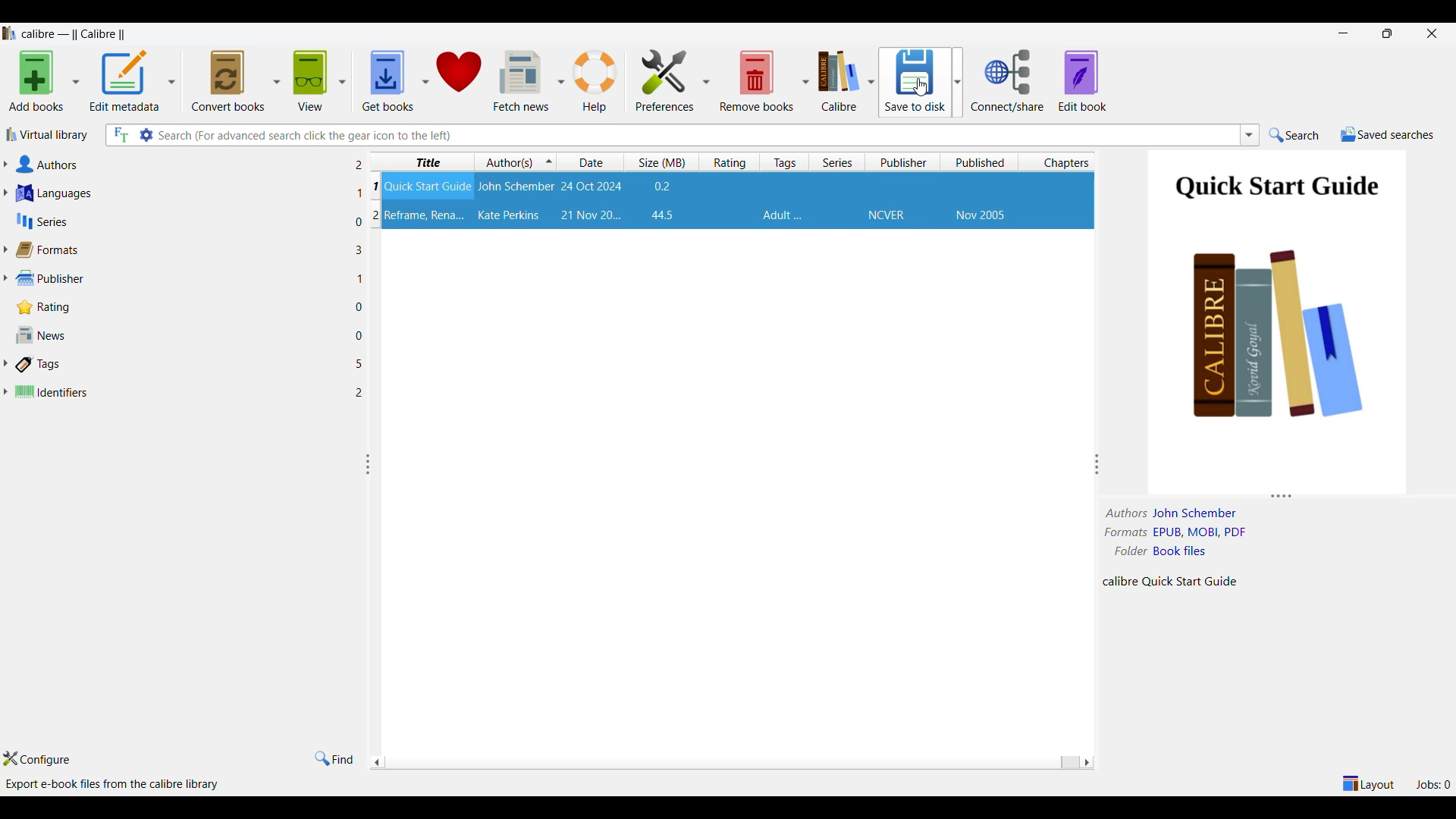 The image size is (1456, 819). I want to click on Title, so click(431, 186).